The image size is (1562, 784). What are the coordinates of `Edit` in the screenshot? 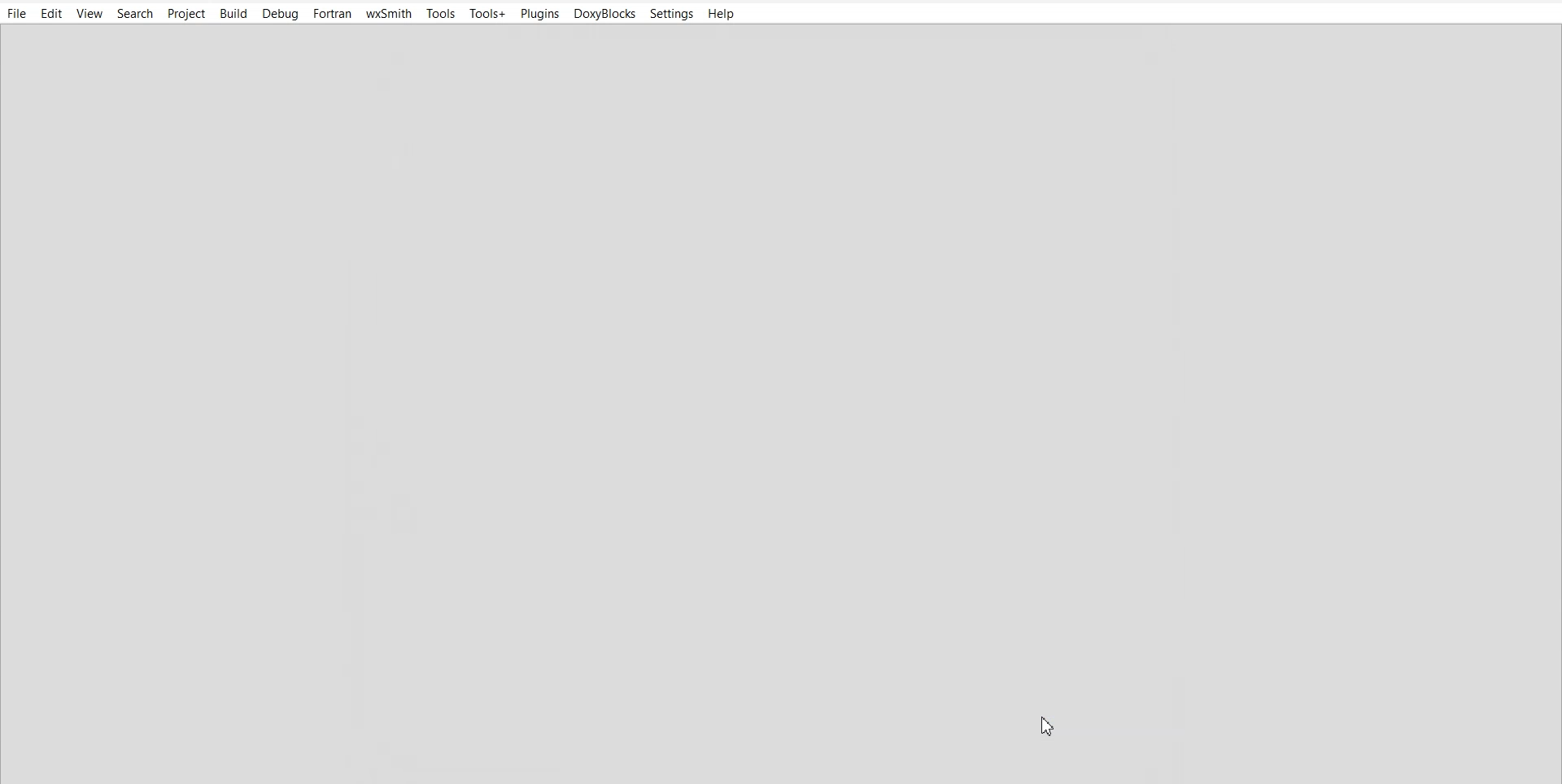 It's located at (51, 14).